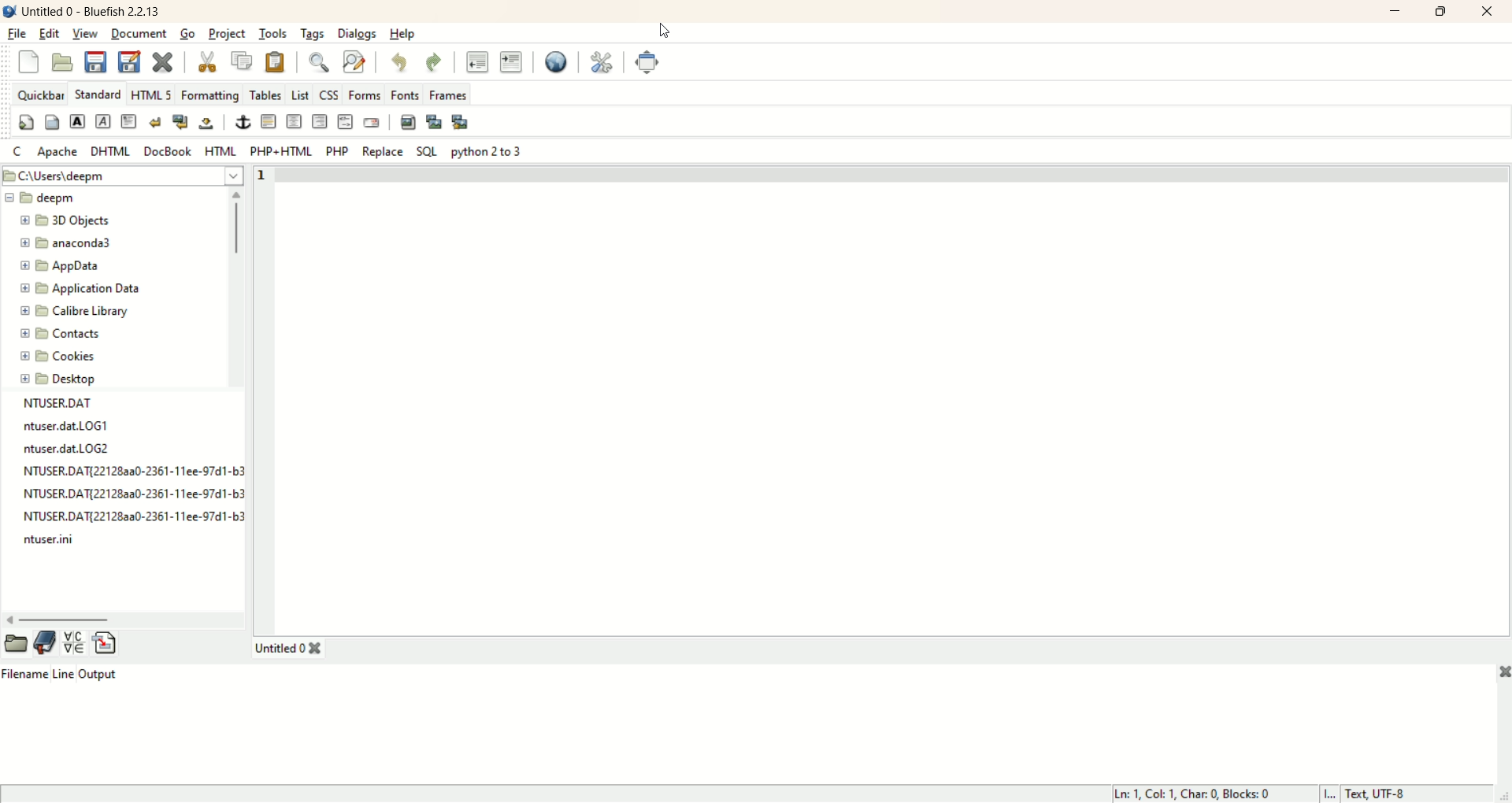 This screenshot has width=1512, height=803. Describe the element at coordinates (81, 288) in the screenshot. I see `application` at that location.